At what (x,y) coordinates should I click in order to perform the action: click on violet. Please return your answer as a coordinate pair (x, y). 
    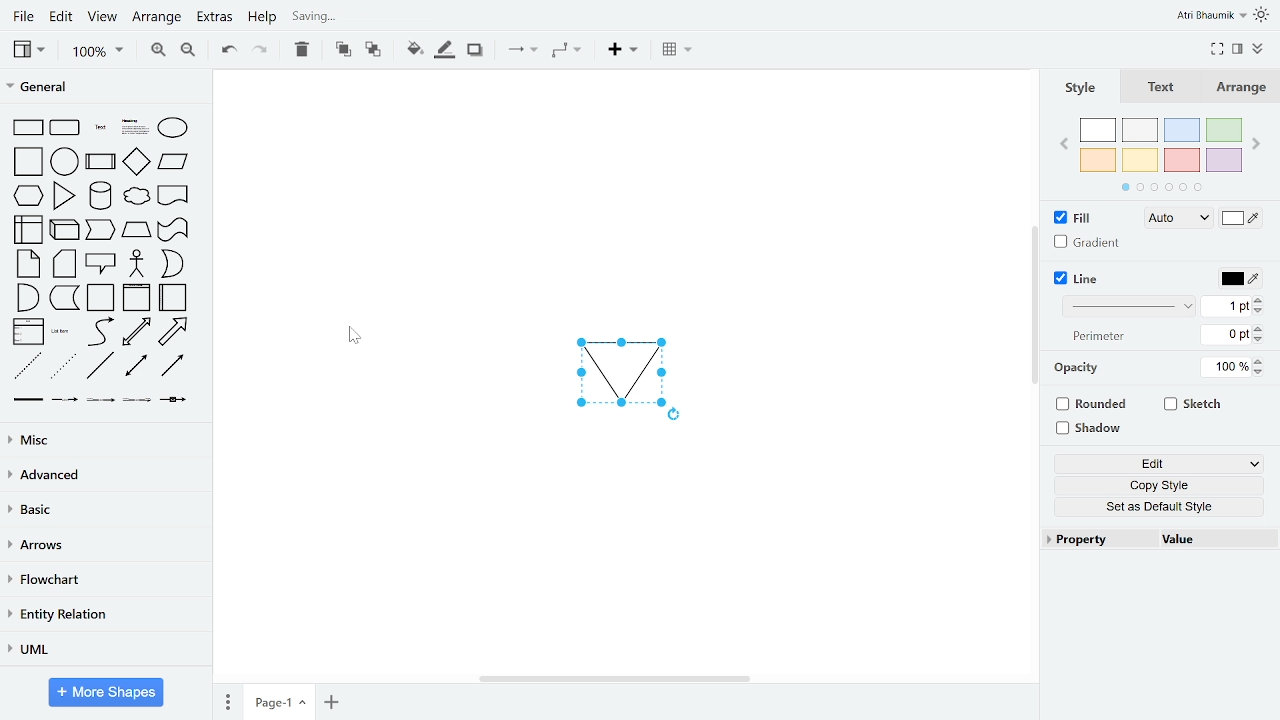
    Looking at the image, I should click on (1225, 161).